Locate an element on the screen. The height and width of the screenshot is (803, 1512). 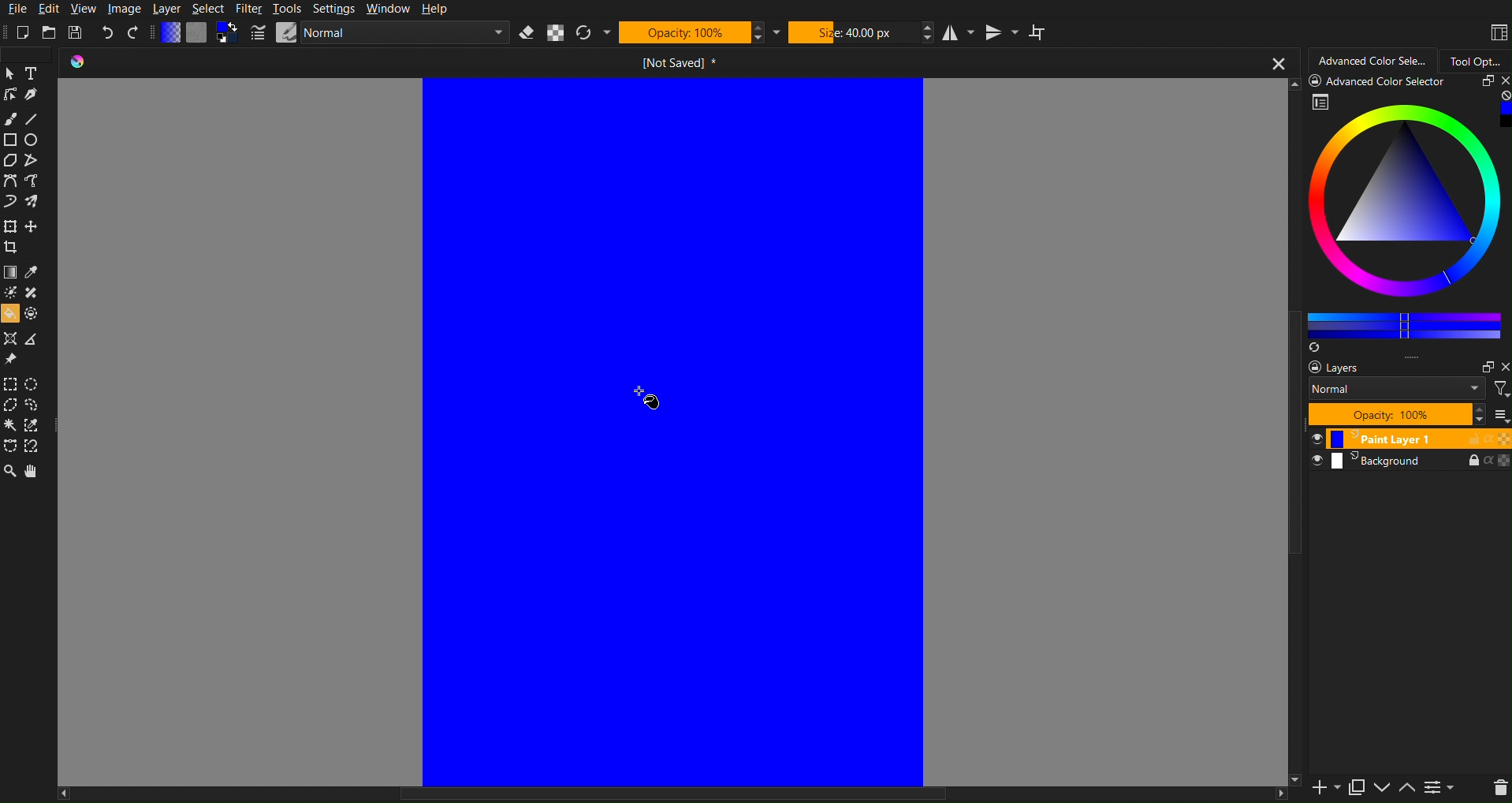
[Not Saved] is located at coordinates (679, 60).